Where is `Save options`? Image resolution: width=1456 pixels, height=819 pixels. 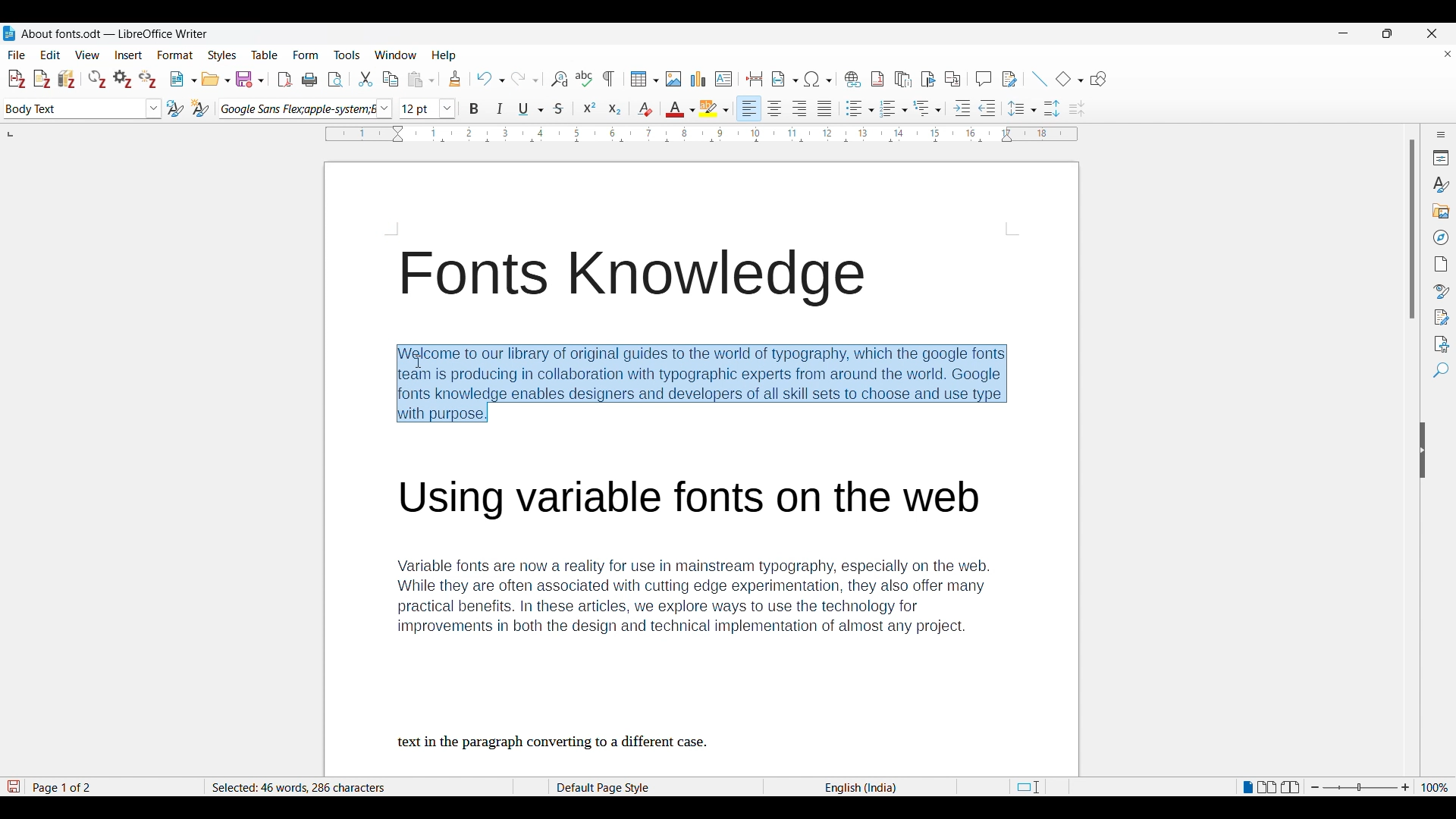 Save options is located at coordinates (249, 80).